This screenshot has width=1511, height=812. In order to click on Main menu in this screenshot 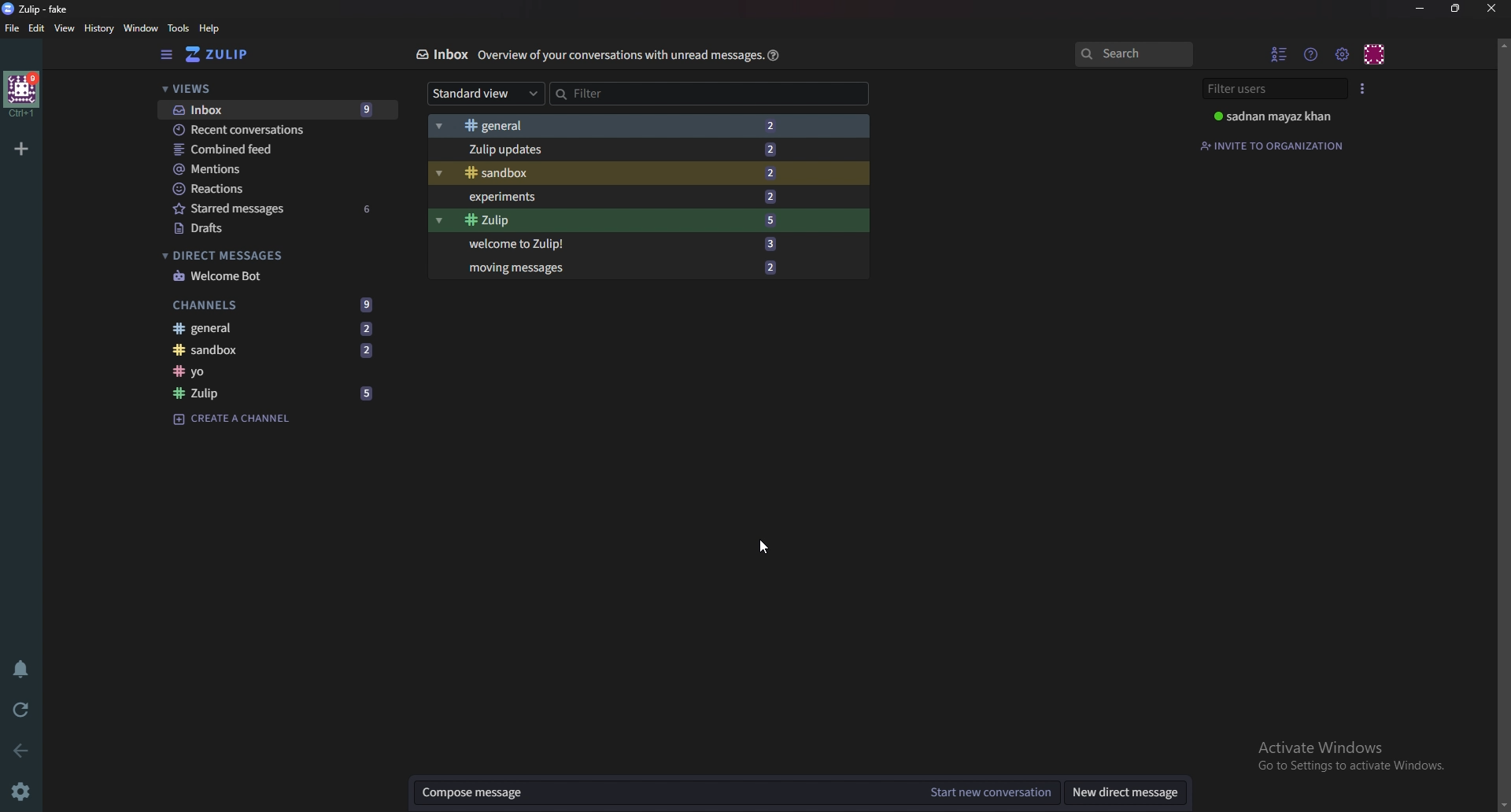, I will do `click(1341, 54)`.